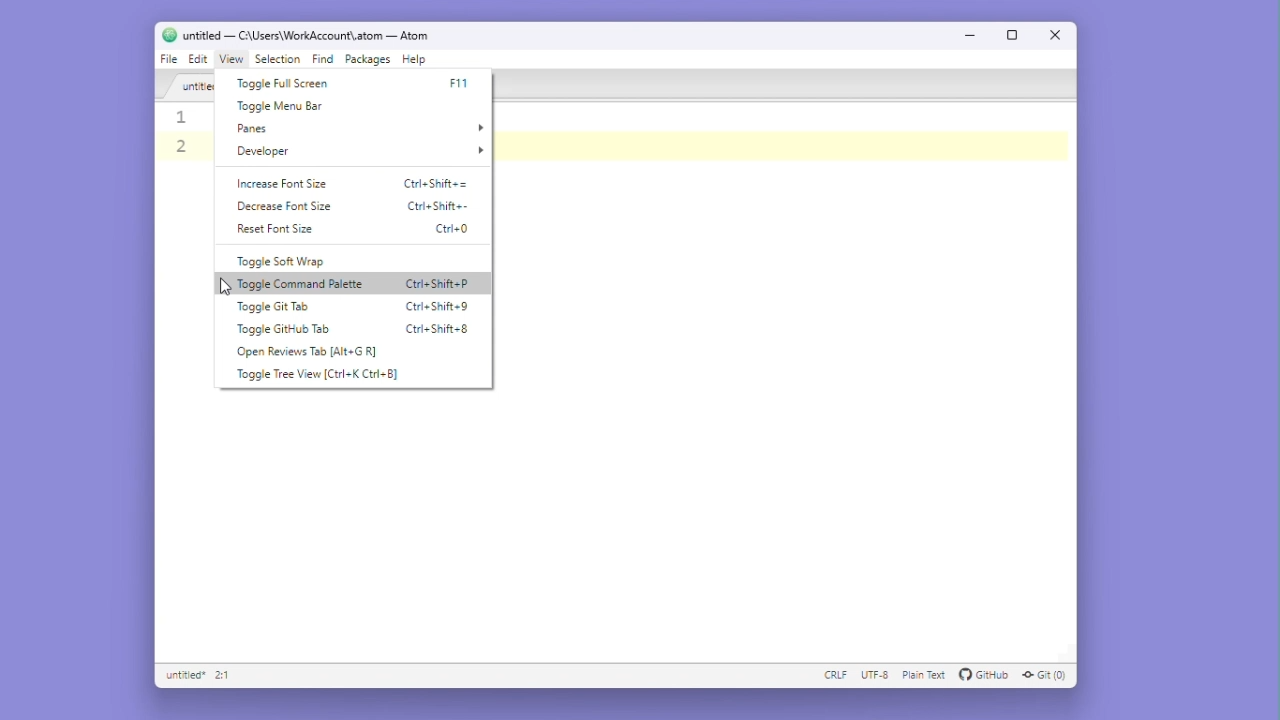 The height and width of the screenshot is (720, 1280). Describe the element at coordinates (282, 207) in the screenshot. I see `Decrease font size` at that location.